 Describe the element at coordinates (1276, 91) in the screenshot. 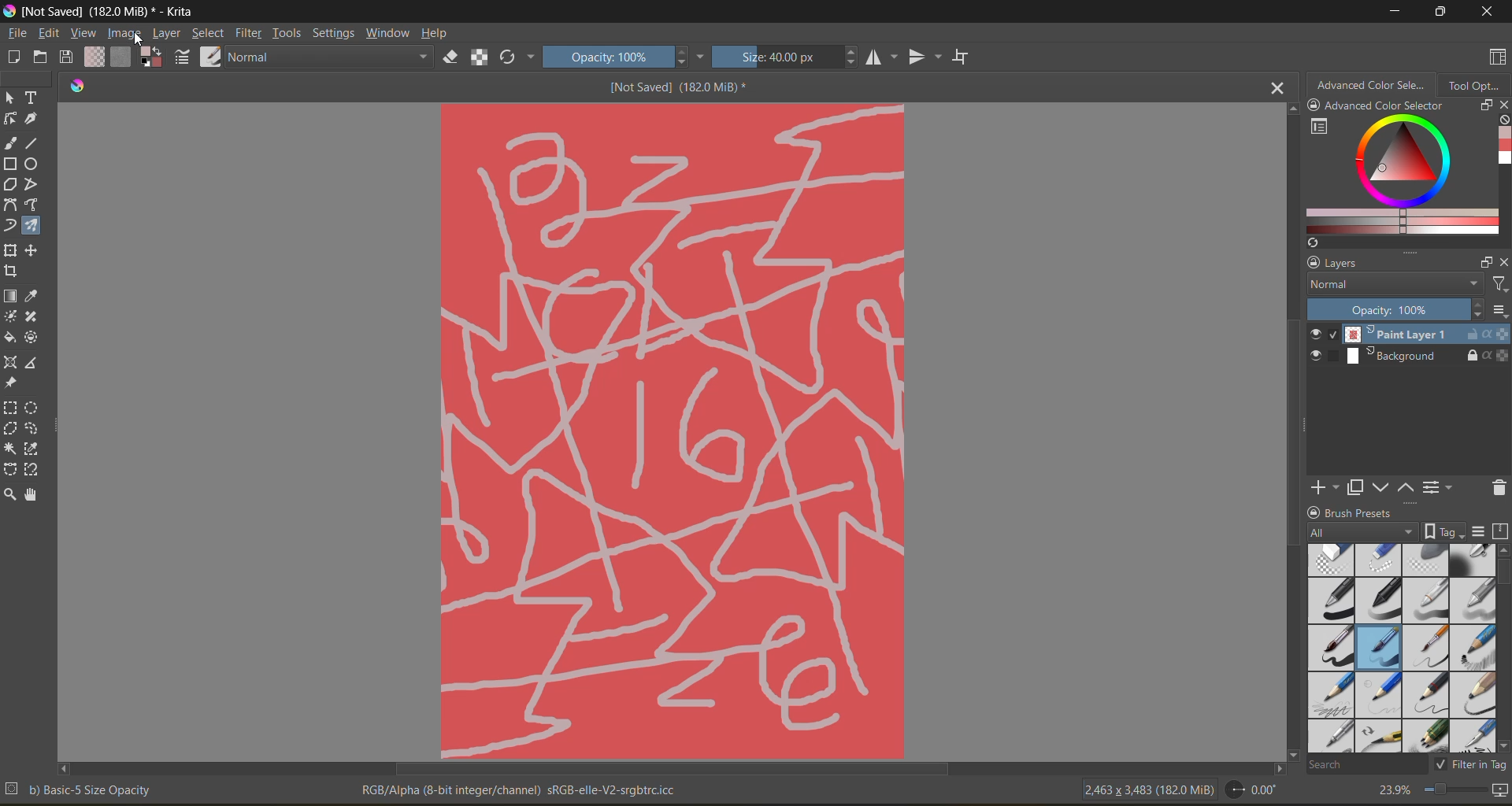

I see `close tab` at that location.